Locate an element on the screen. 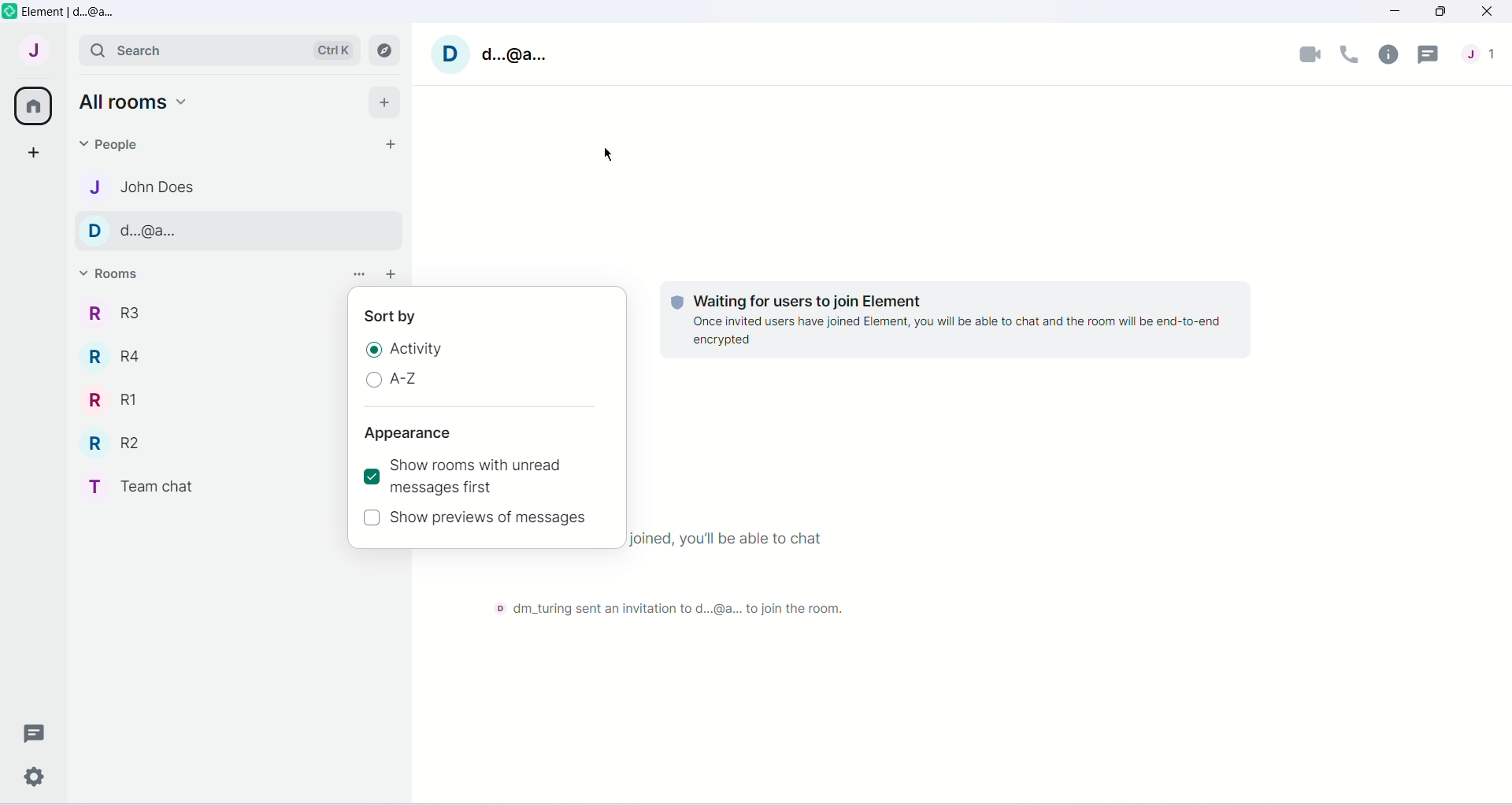 The height and width of the screenshot is (805, 1512). People is located at coordinates (117, 144).